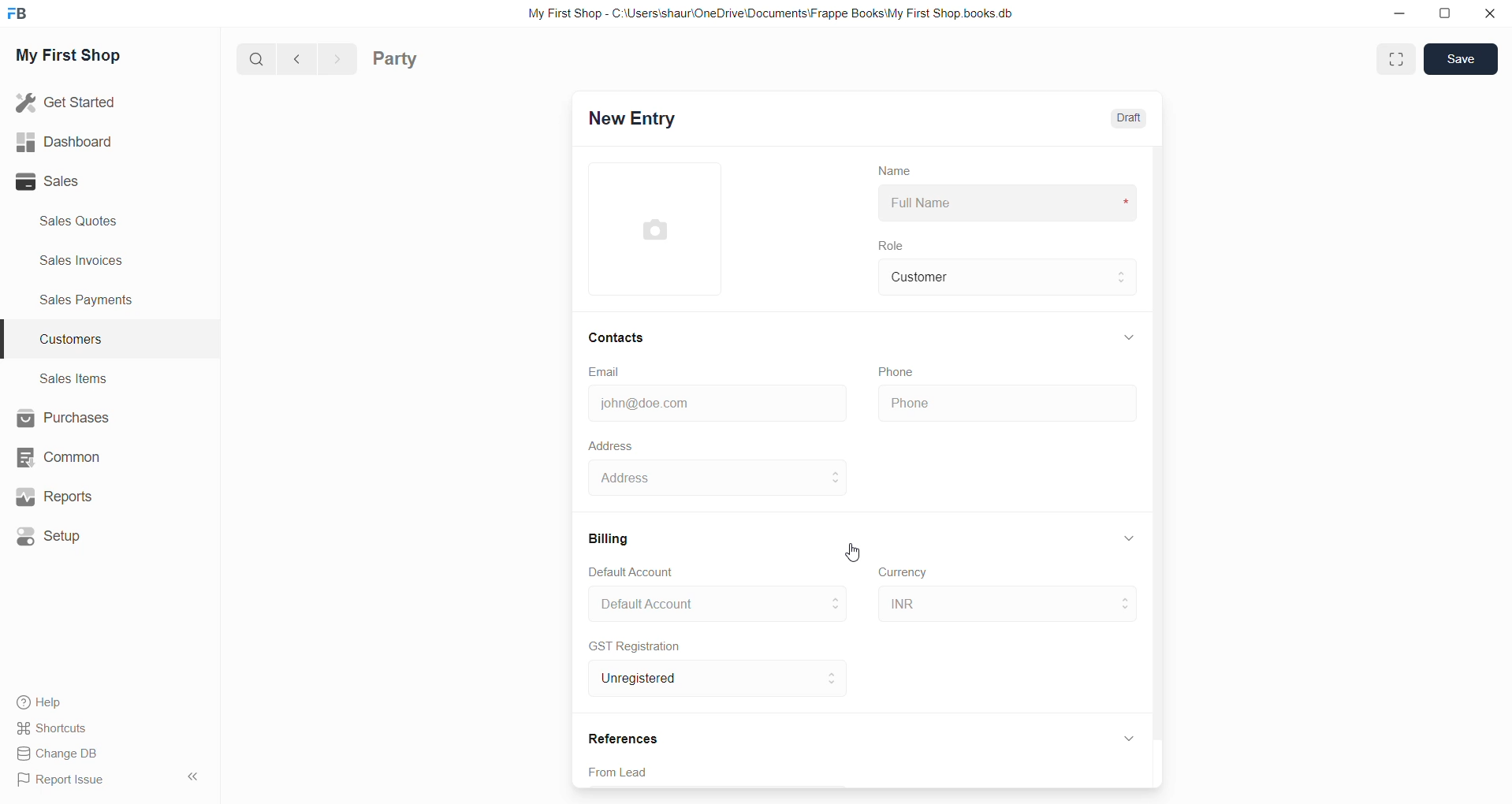 The width and height of the screenshot is (1512, 804). What do you see at coordinates (61, 753) in the screenshot?
I see ` Change DB` at bounding box center [61, 753].